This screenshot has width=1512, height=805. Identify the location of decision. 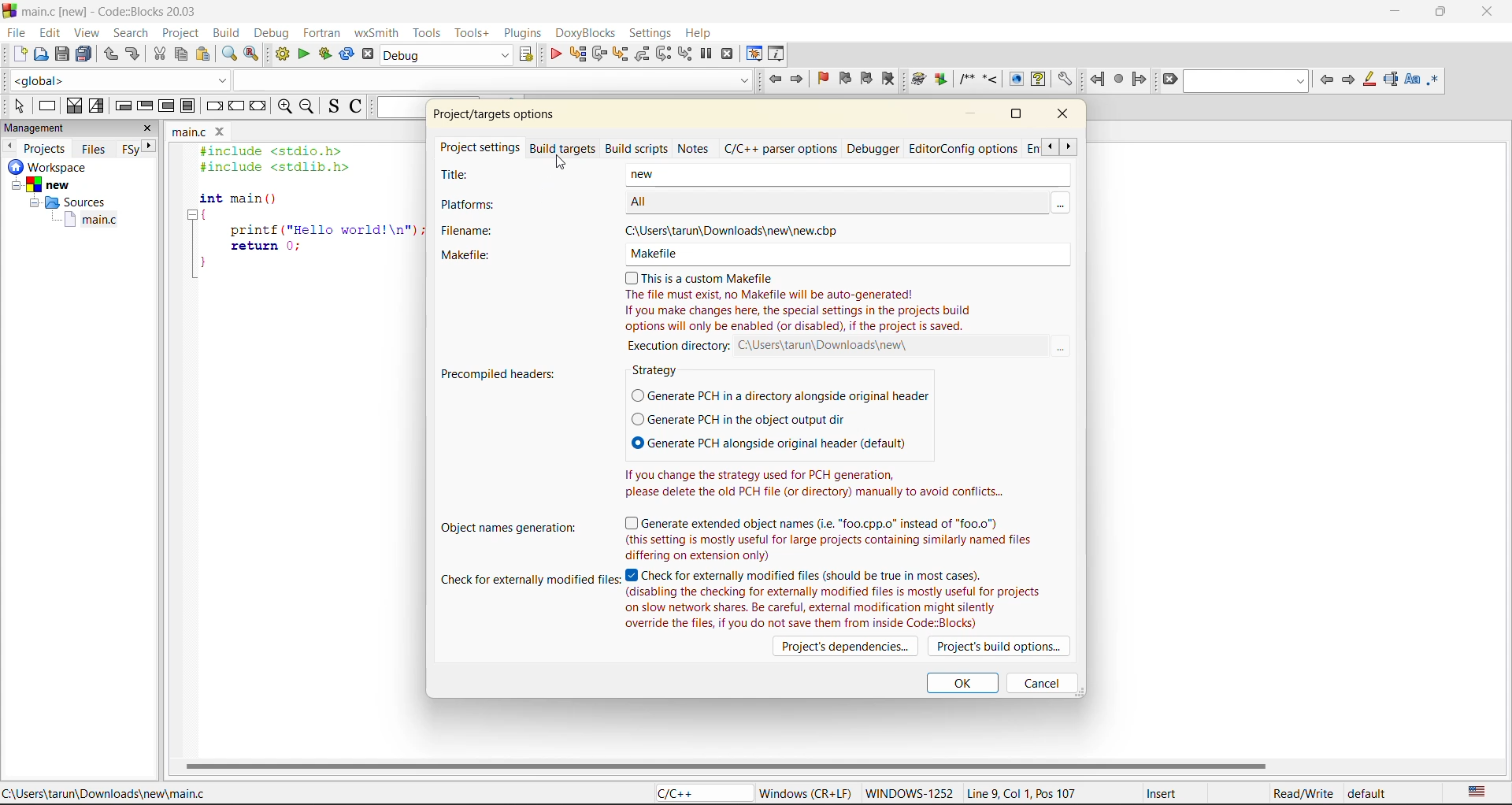
(75, 106).